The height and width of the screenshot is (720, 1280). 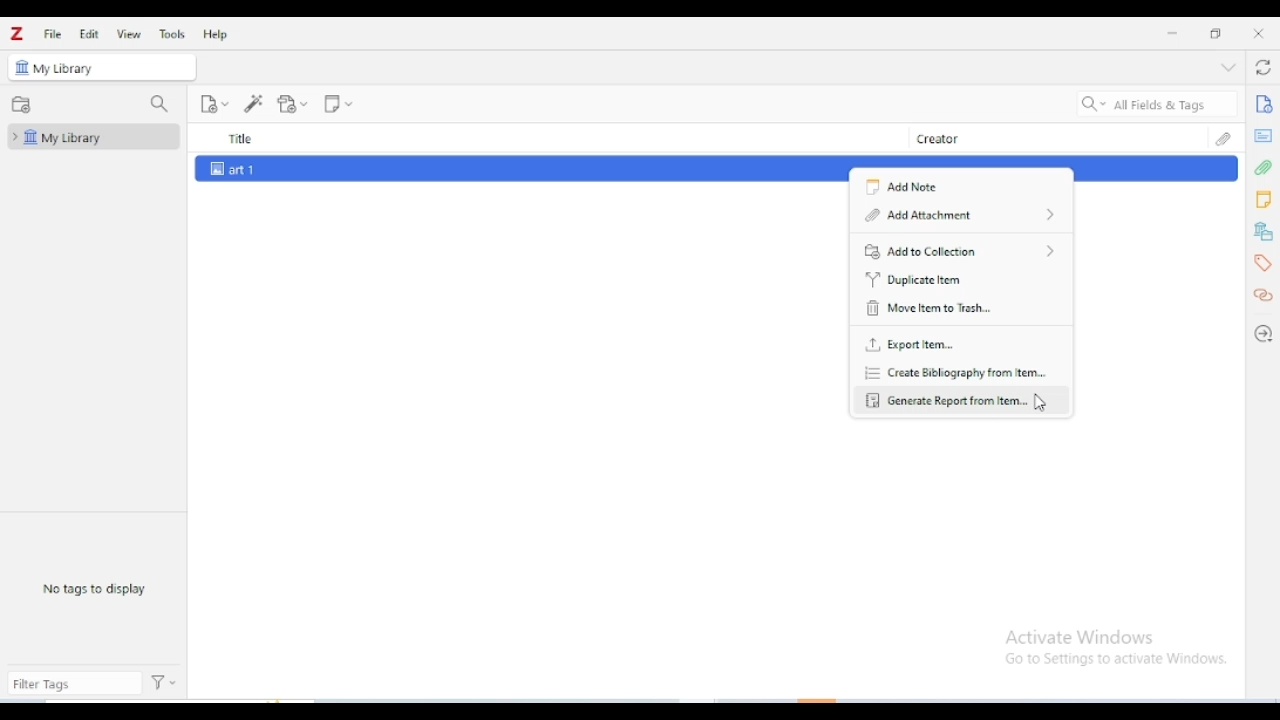 I want to click on sync with zotero.org, so click(x=1262, y=66).